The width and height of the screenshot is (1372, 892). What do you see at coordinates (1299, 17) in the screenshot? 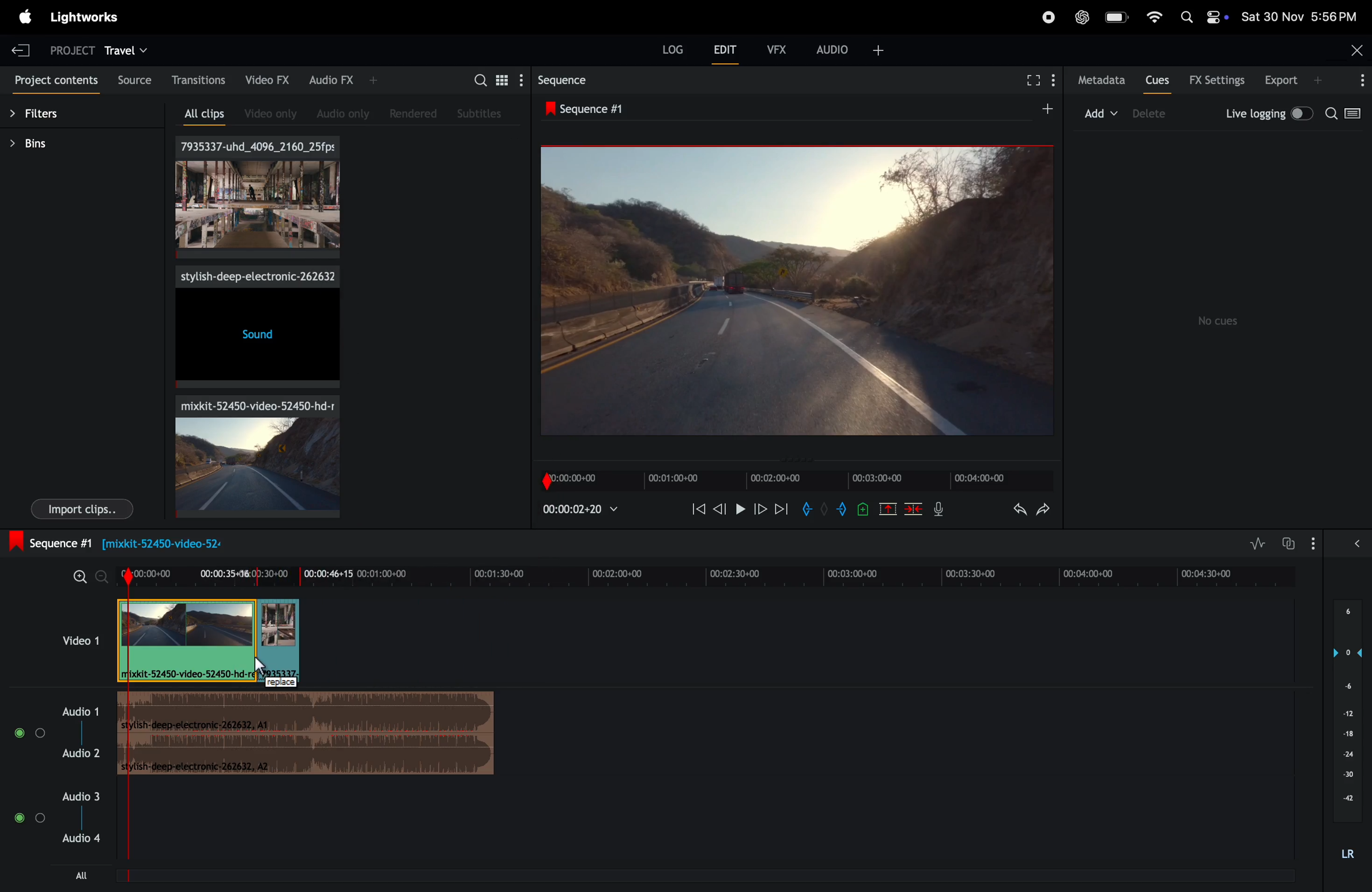
I see `date and time` at bounding box center [1299, 17].